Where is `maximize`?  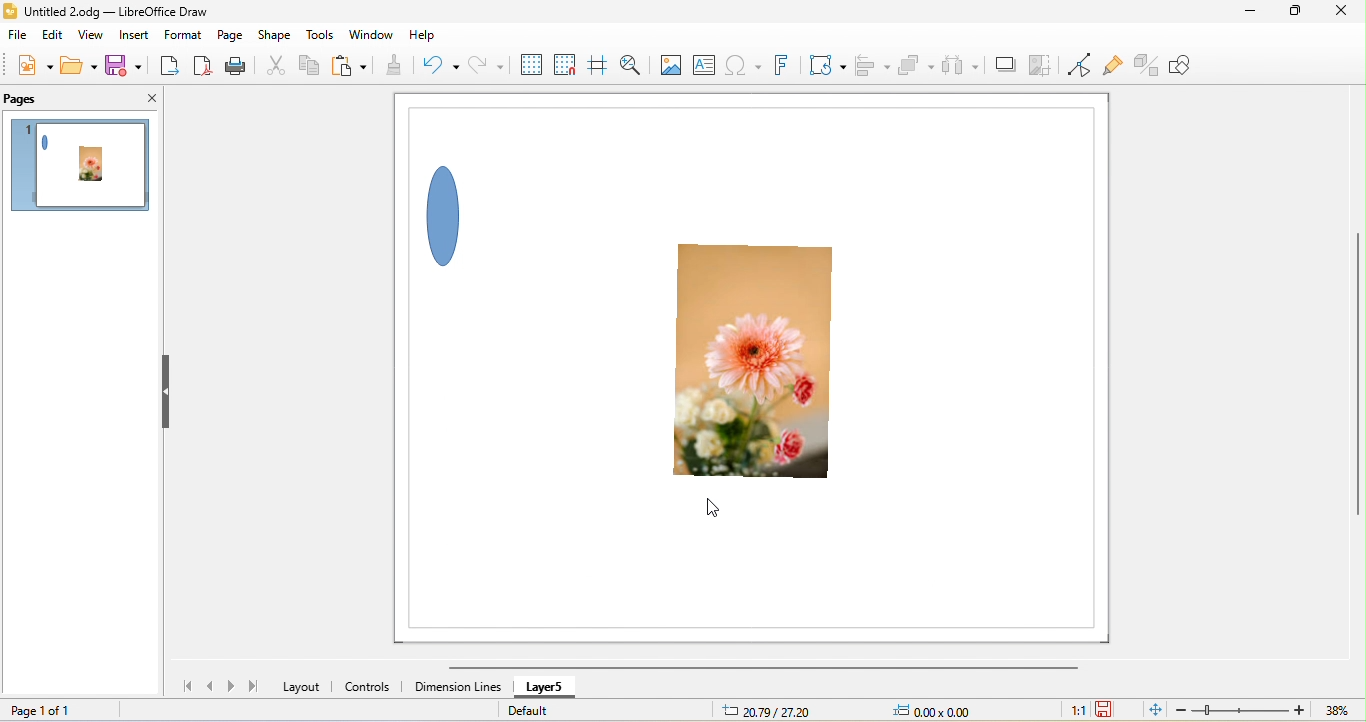
maximize is located at coordinates (1290, 14).